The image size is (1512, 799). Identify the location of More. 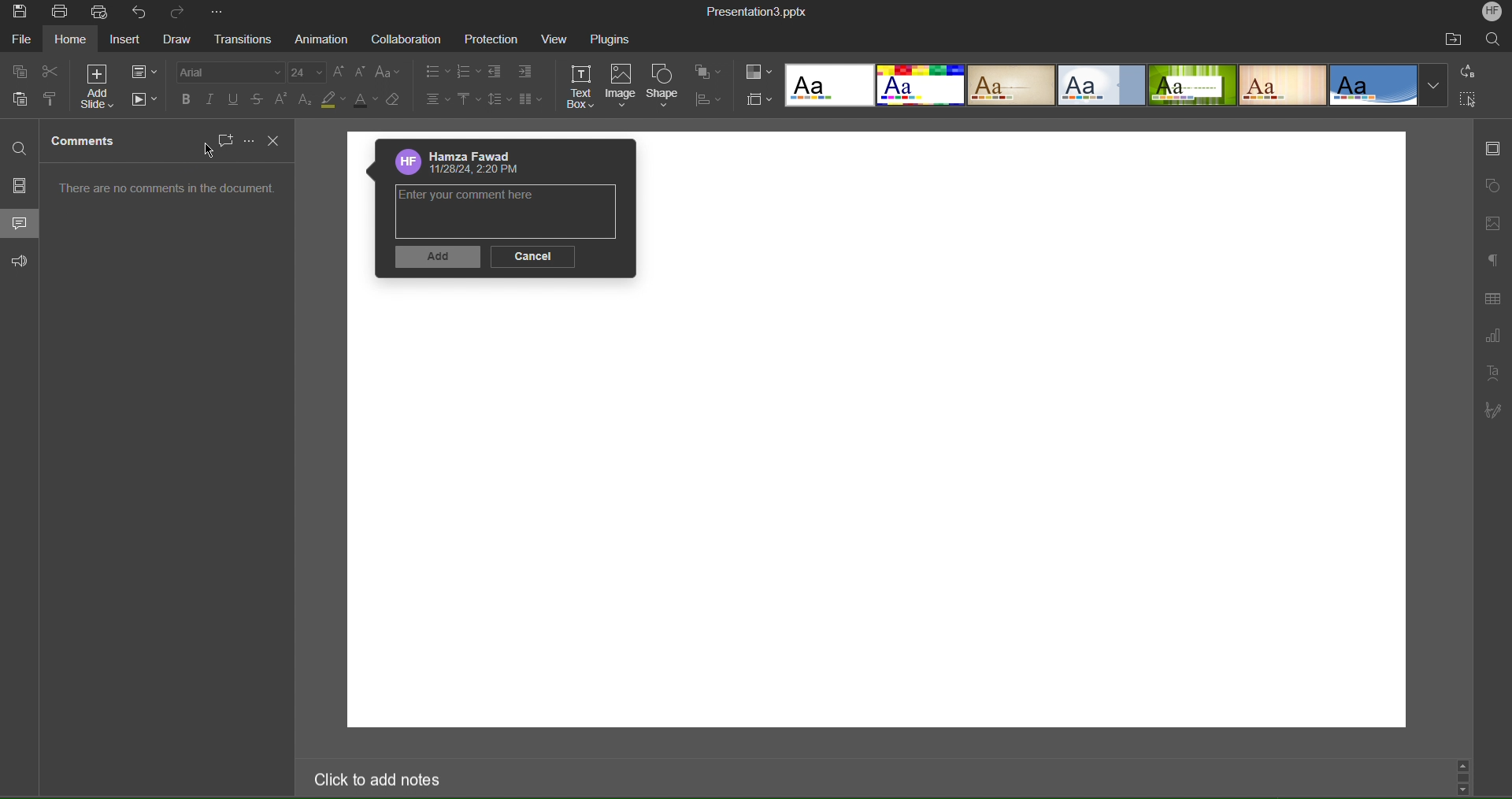
(216, 13).